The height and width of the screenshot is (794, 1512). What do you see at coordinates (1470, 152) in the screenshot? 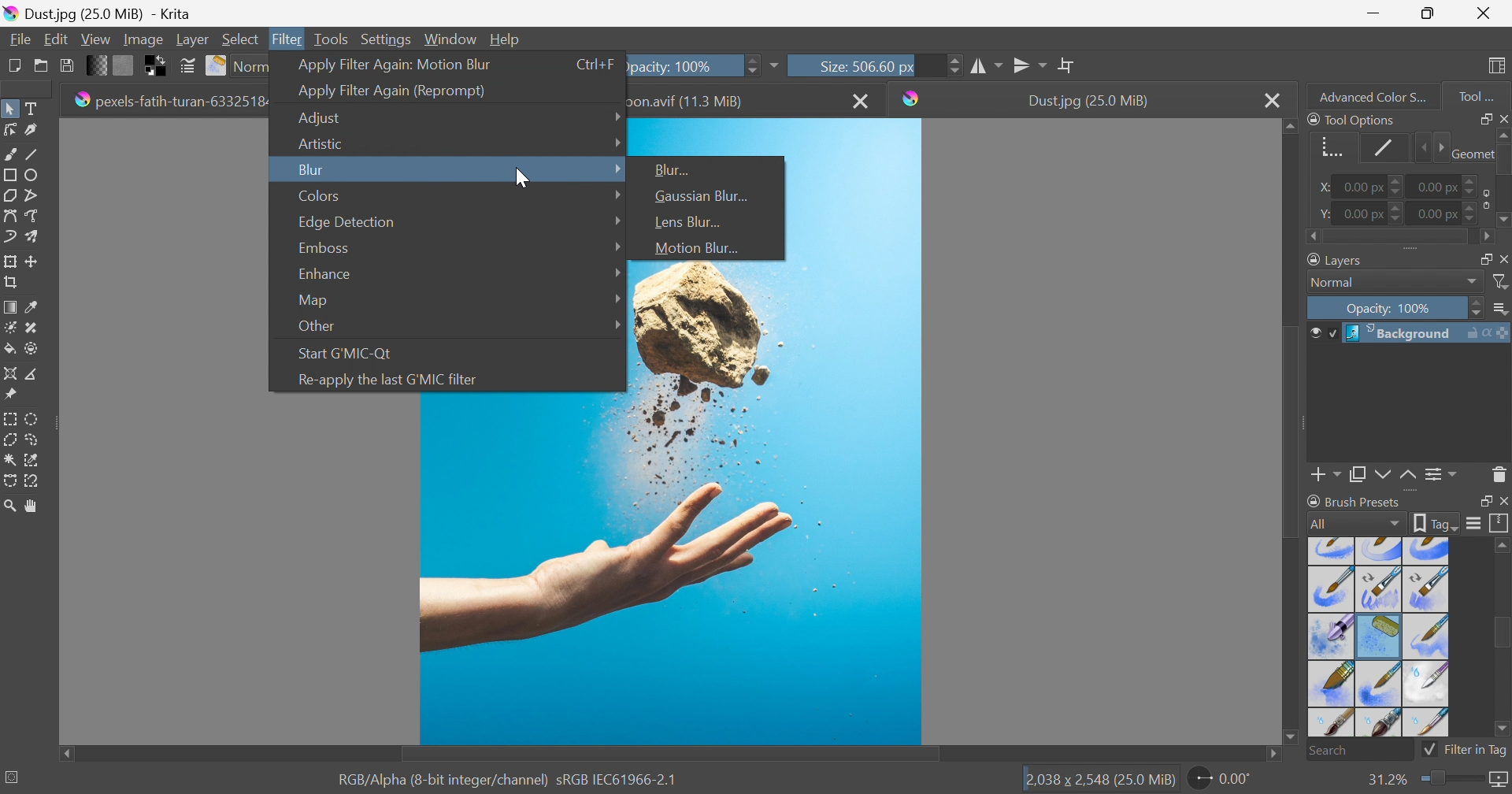
I see `Geometry` at bounding box center [1470, 152].